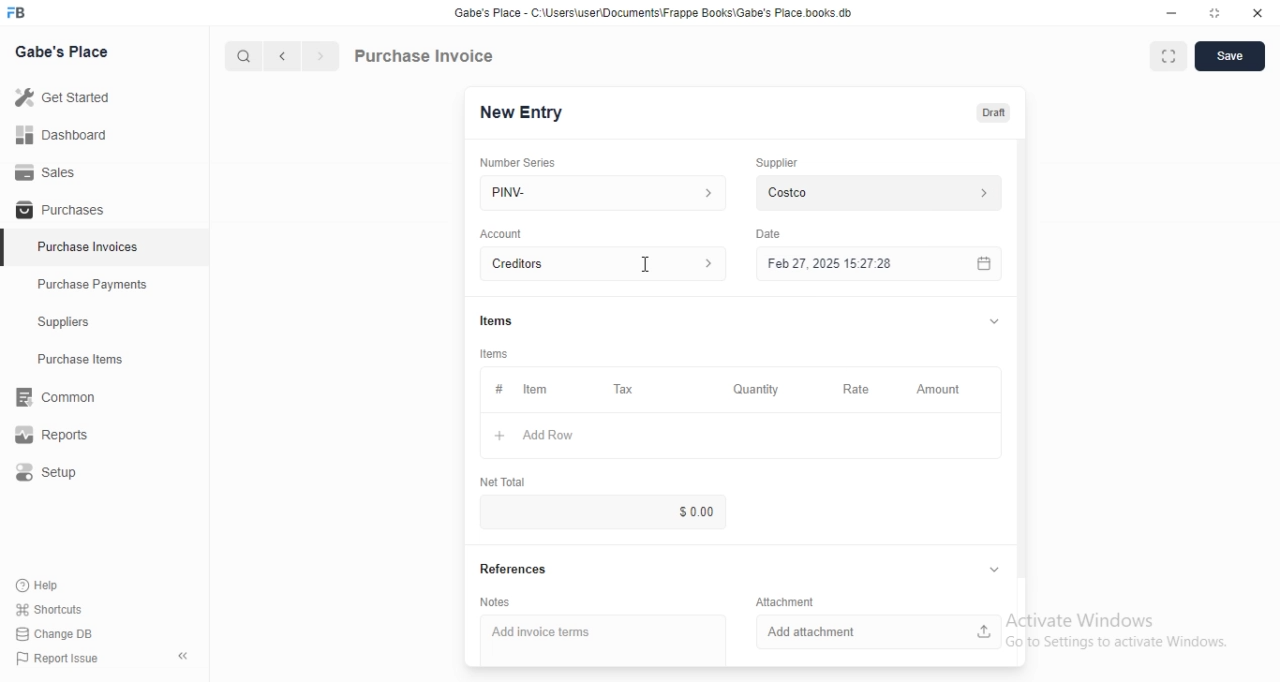  What do you see at coordinates (105, 359) in the screenshot?
I see `Purchase Items` at bounding box center [105, 359].